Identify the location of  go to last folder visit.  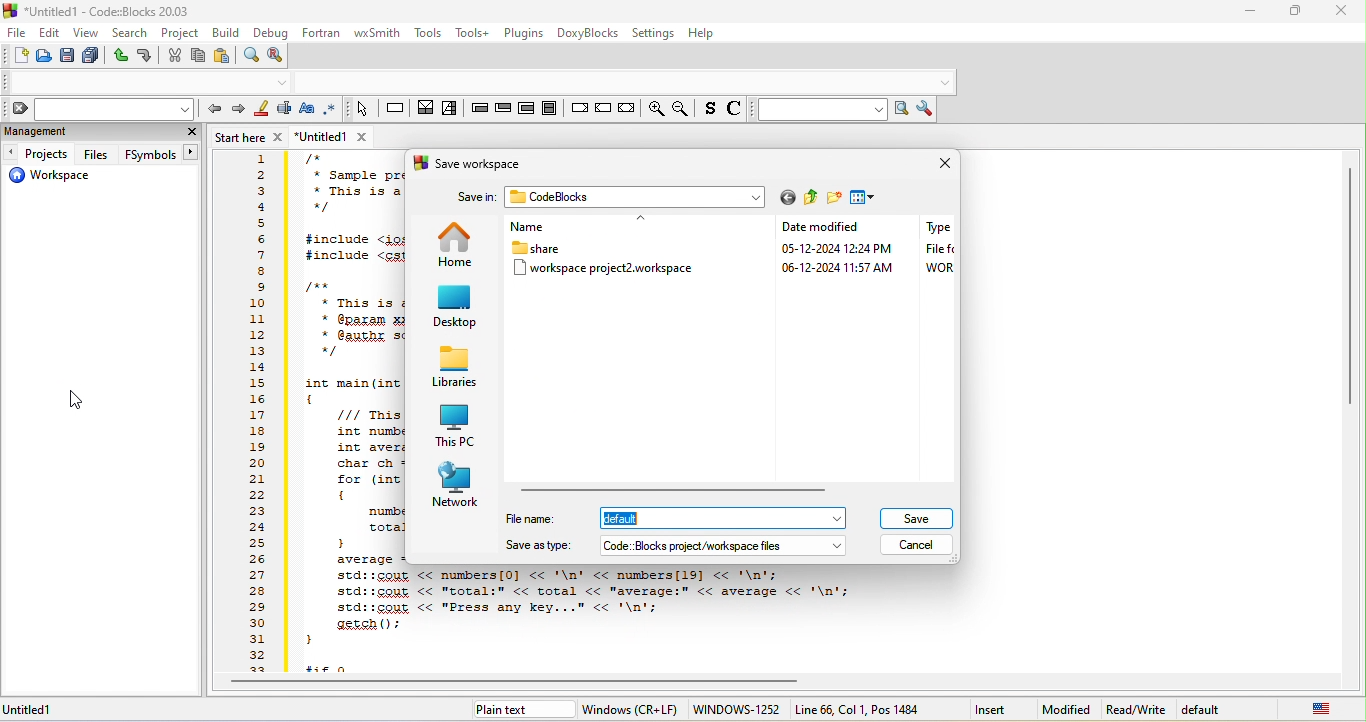
(785, 199).